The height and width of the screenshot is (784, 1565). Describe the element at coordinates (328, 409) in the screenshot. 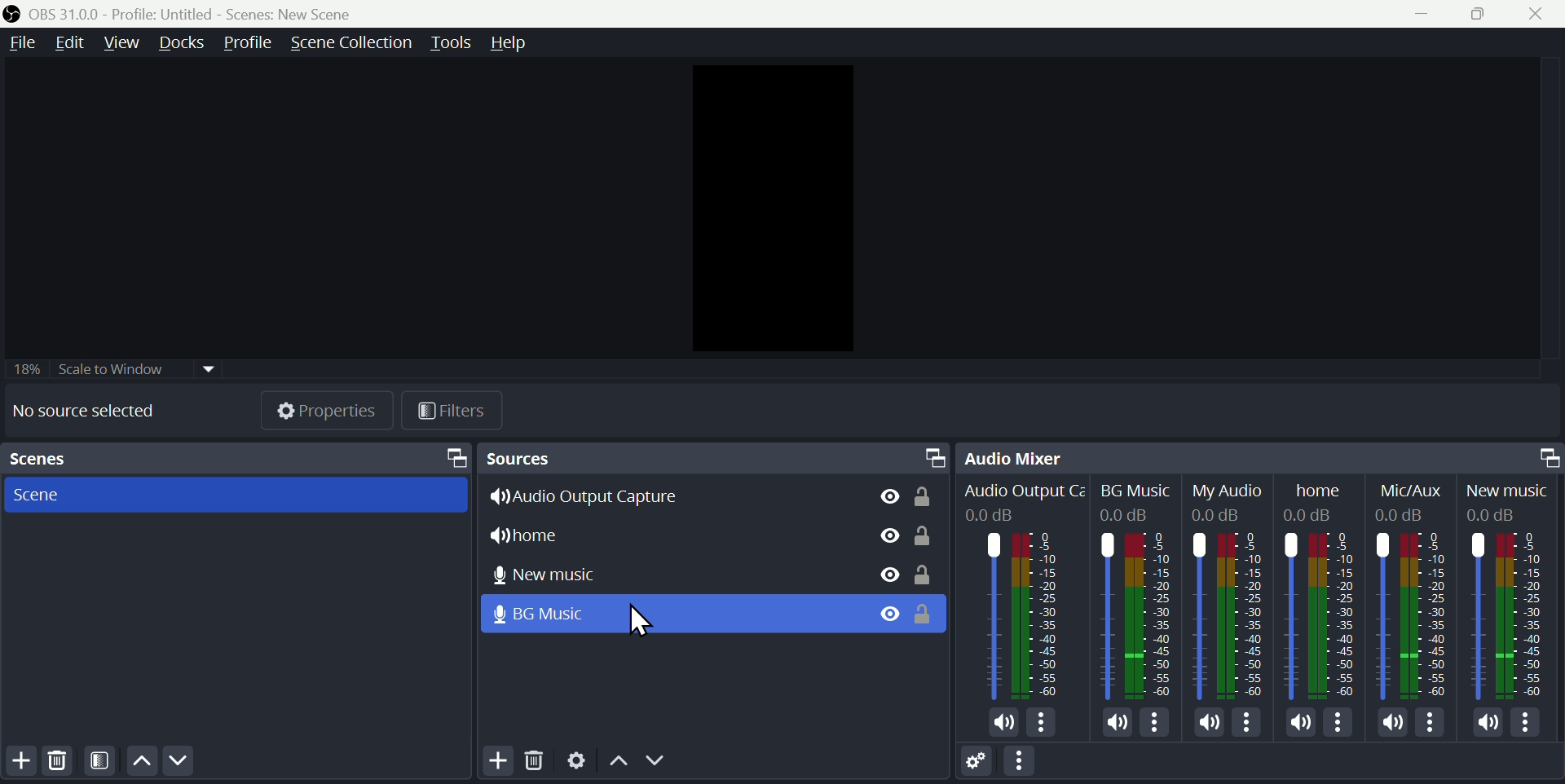

I see `Properties` at that location.